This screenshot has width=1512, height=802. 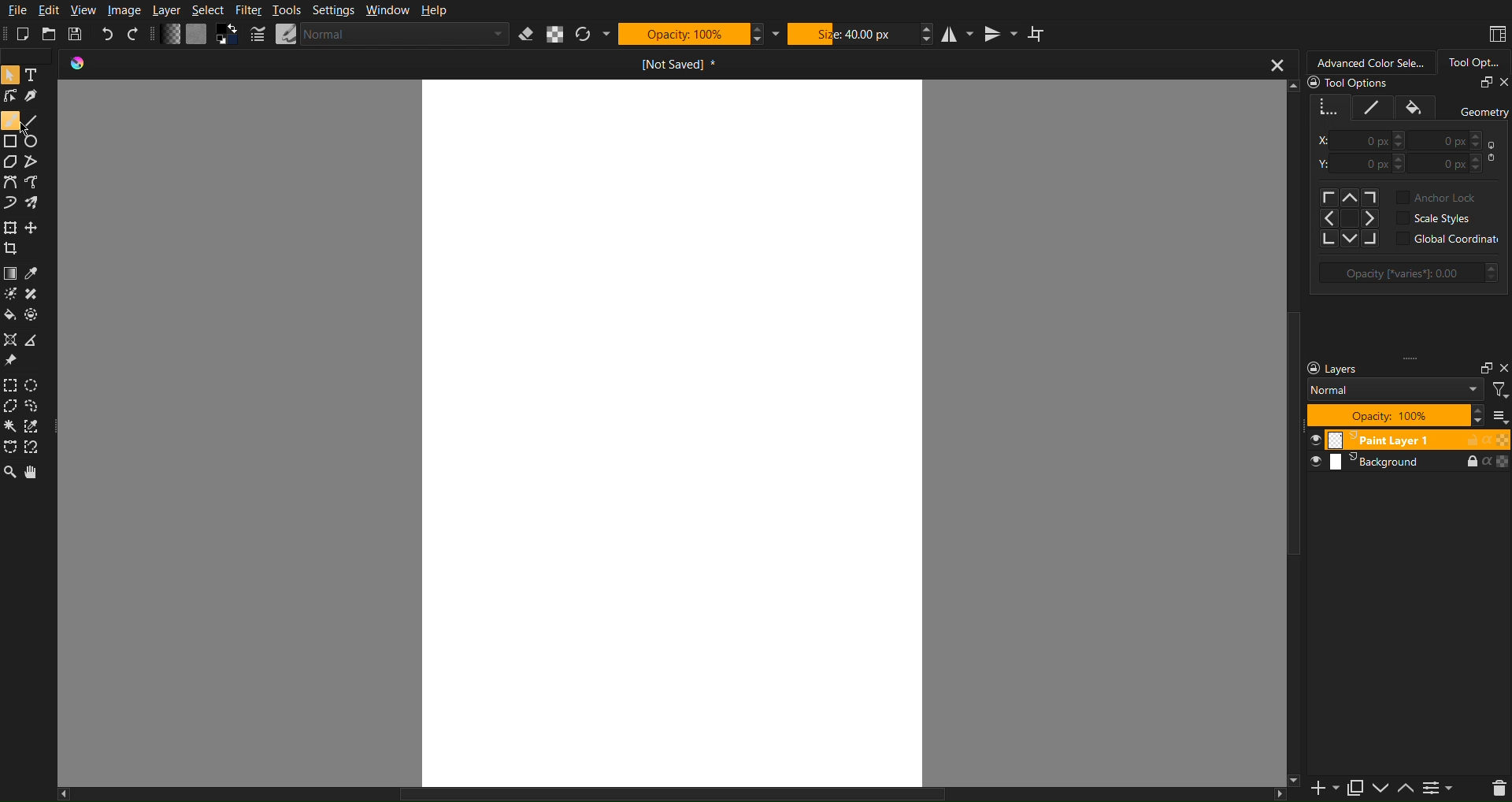 I want to click on Global Coordinates, so click(x=1450, y=239).